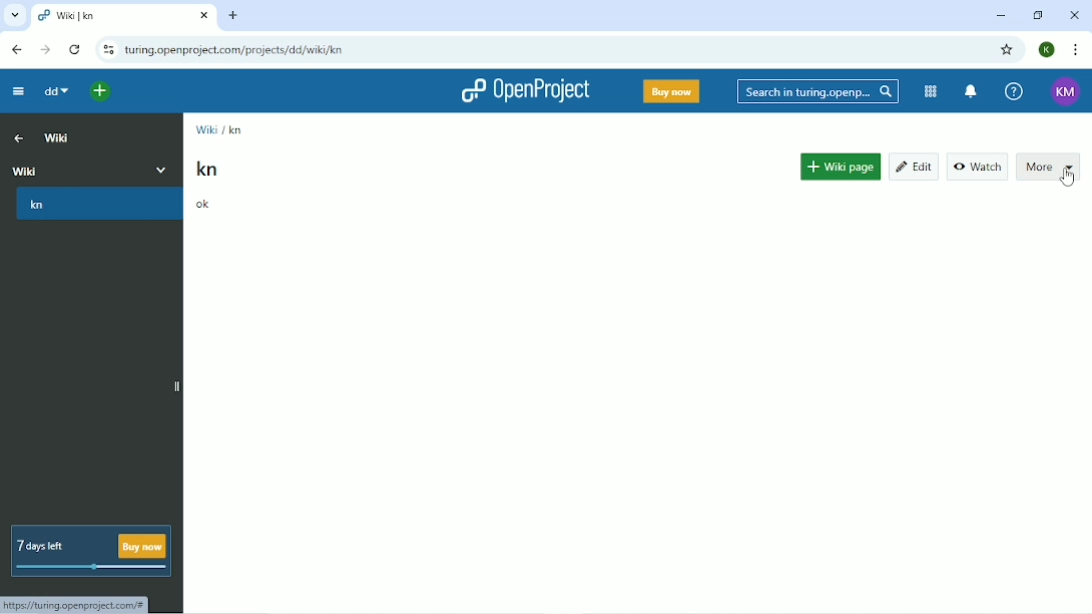 The height and width of the screenshot is (614, 1092). What do you see at coordinates (17, 92) in the screenshot?
I see `Collapse project menu` at bounding box center [17, 92].